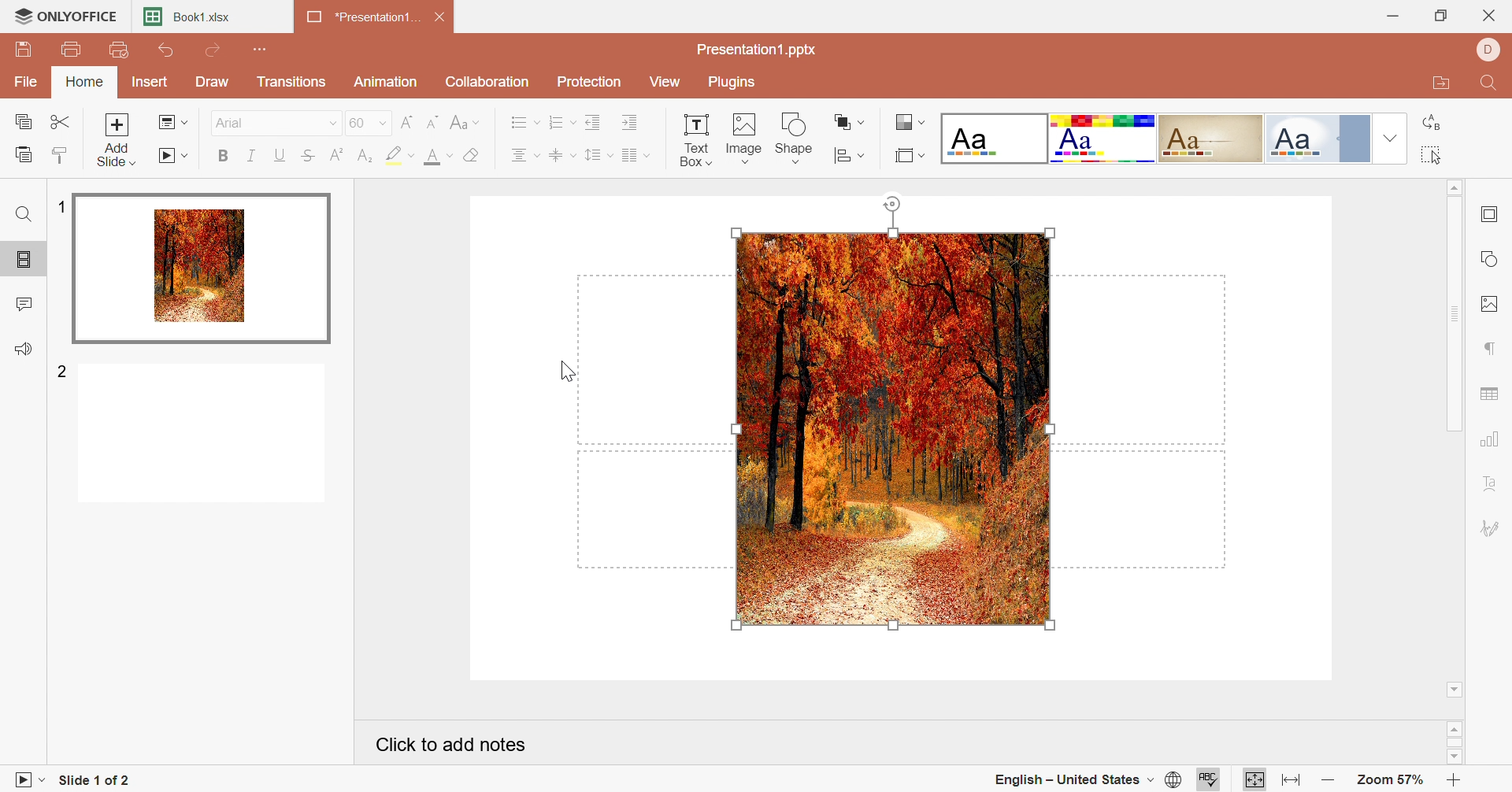 This screenshot has height=792, width=1512. I want to click on Select All, so click(1432, 156).